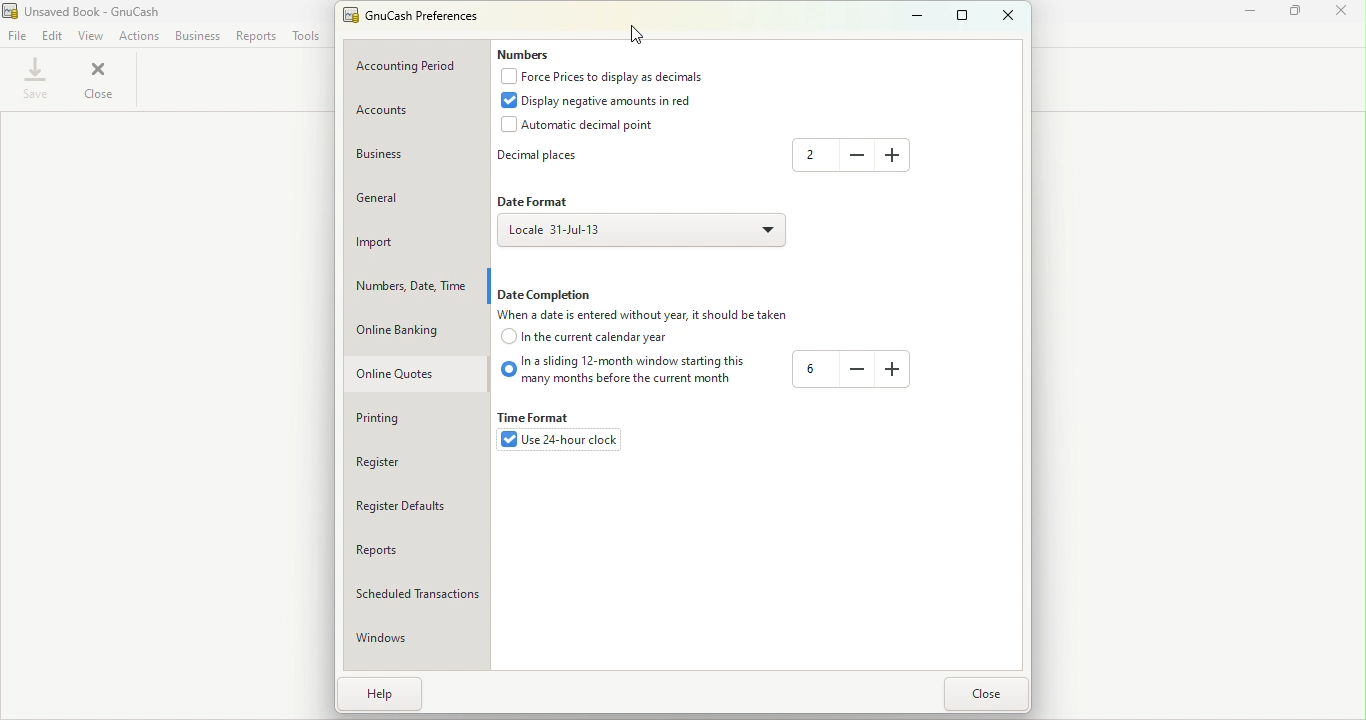 Image resolution: width=1366 pixels, height=720 pixels. What do you see at coordinates (812, 156) in the screenshot?
I see `2` at bounding box center [812, 156].